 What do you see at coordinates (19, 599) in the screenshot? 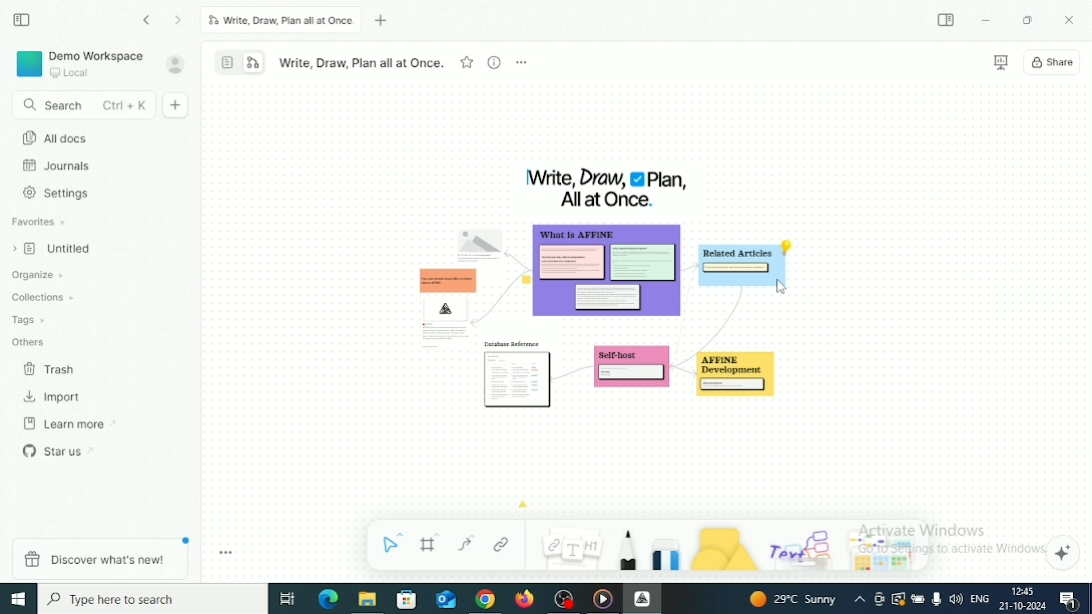
I see `Windows` at bounding box center [19, 599].